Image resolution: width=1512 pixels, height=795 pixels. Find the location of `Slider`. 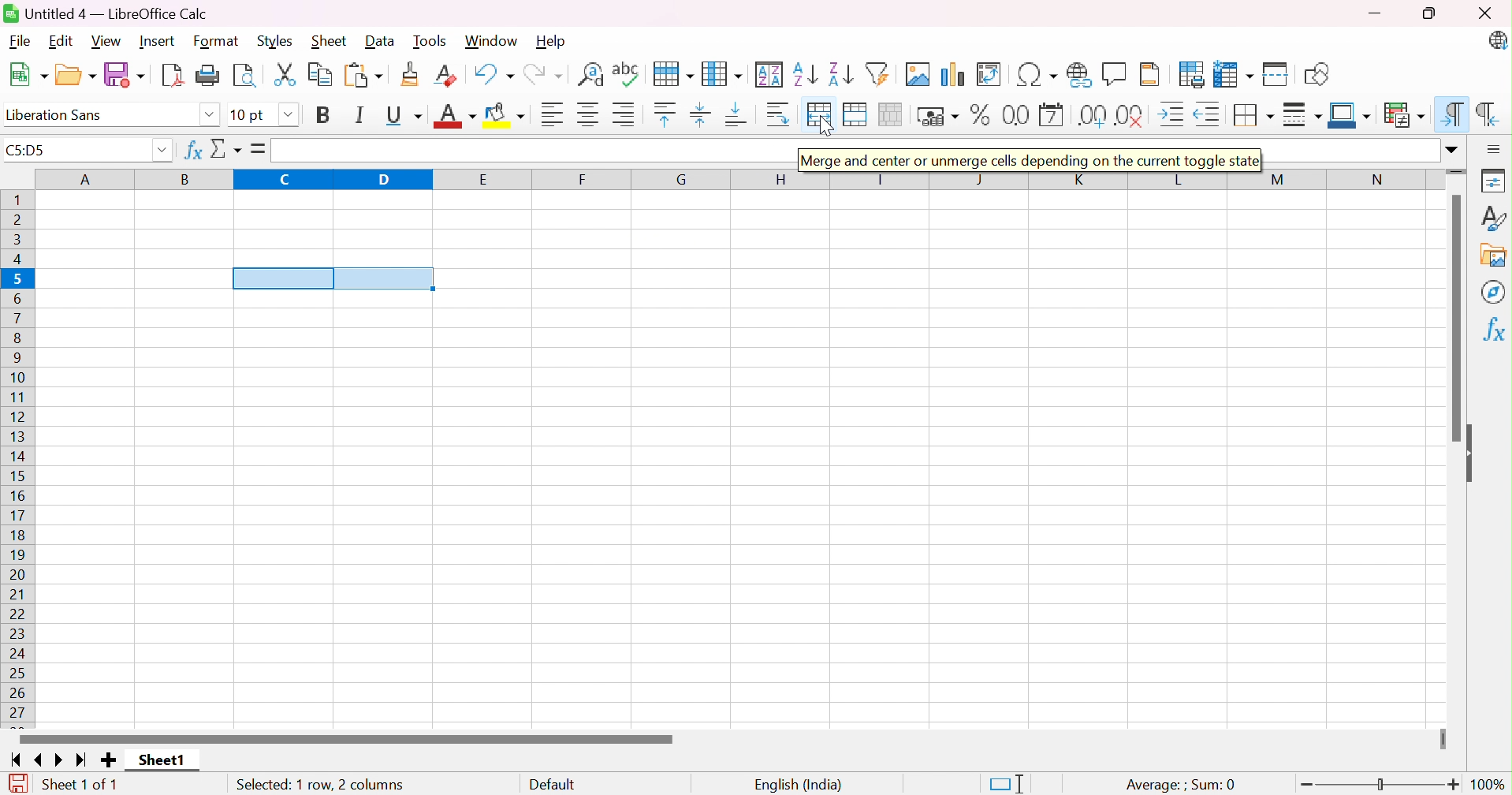

Slider is located at coordinates (1376, 784).